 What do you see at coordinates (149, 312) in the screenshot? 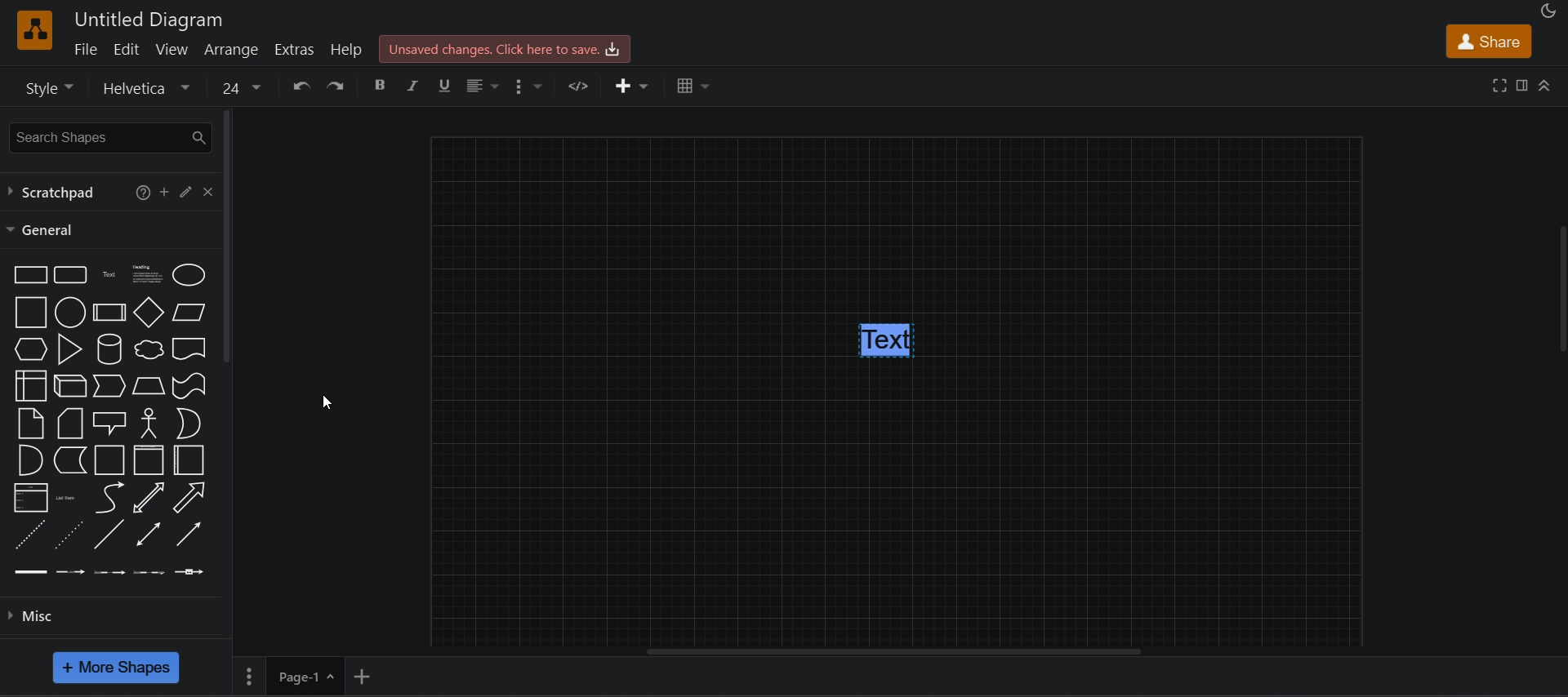
I see `Diamond` at bounding box center [149, 312].